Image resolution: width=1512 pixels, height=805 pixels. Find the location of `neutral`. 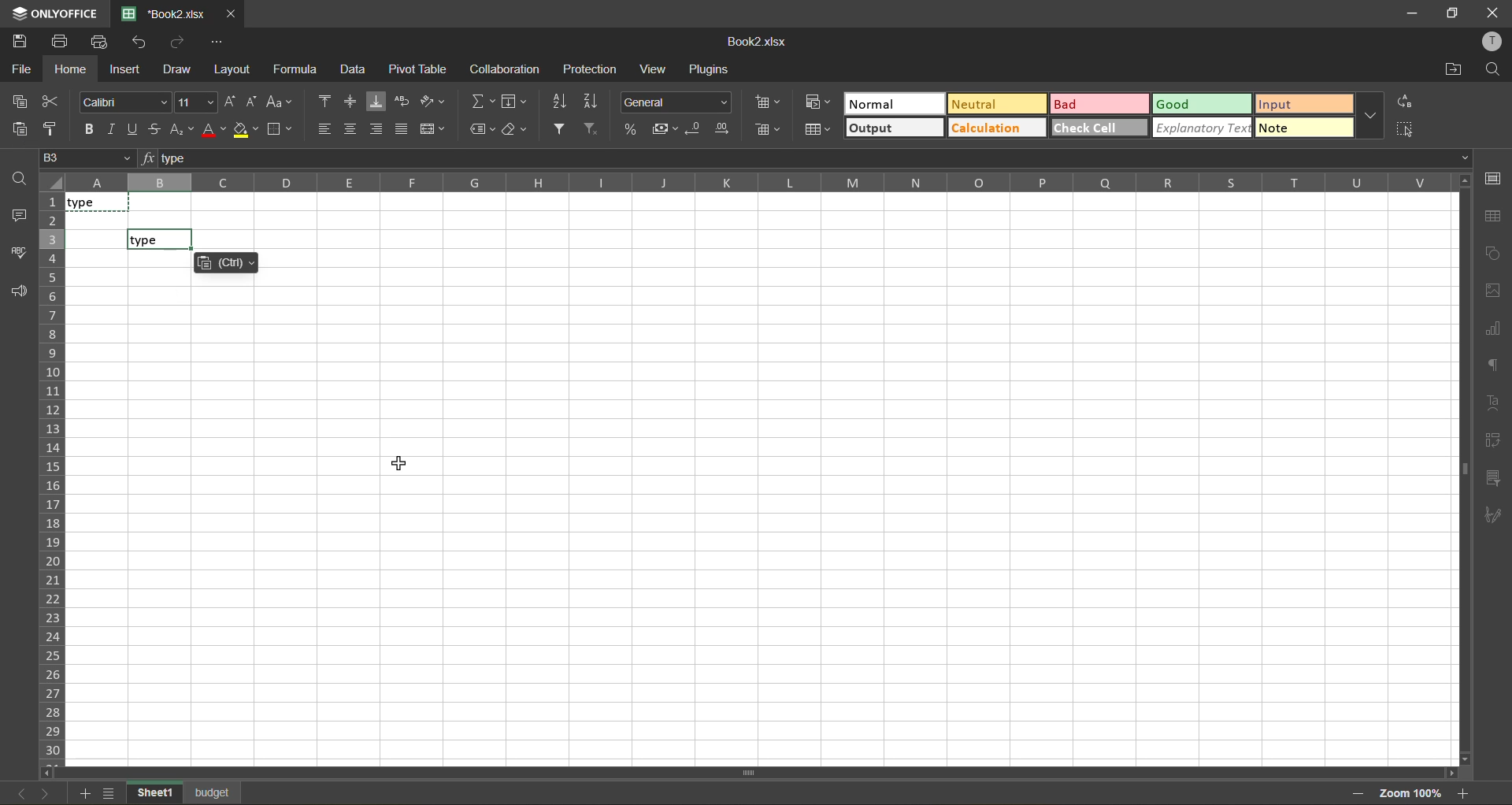

neutral is located at coordinates (996, 104).